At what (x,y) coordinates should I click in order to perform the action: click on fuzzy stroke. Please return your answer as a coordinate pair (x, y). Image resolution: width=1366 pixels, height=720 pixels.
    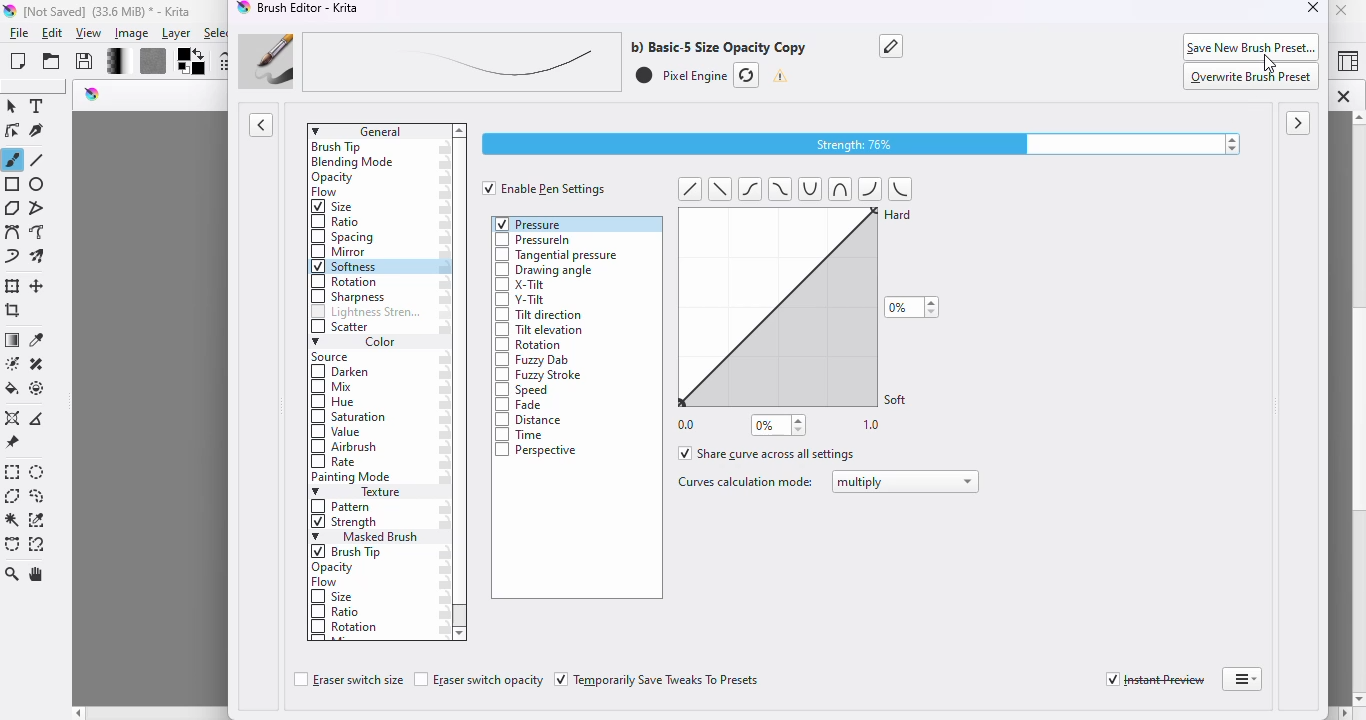
    Looking at the image, I should click on (539, 376).